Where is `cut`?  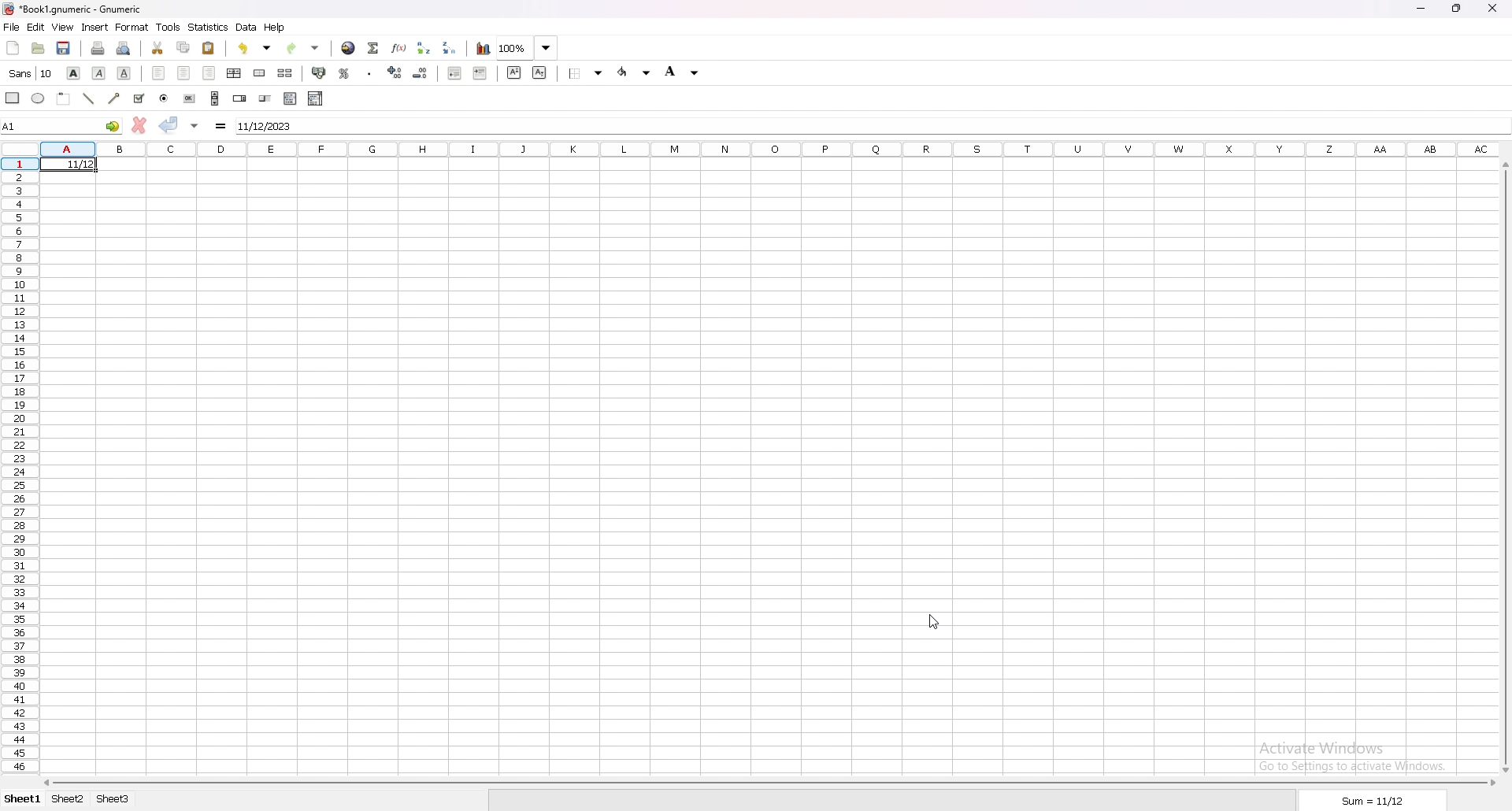
cut is located at coordinates (157, 48).